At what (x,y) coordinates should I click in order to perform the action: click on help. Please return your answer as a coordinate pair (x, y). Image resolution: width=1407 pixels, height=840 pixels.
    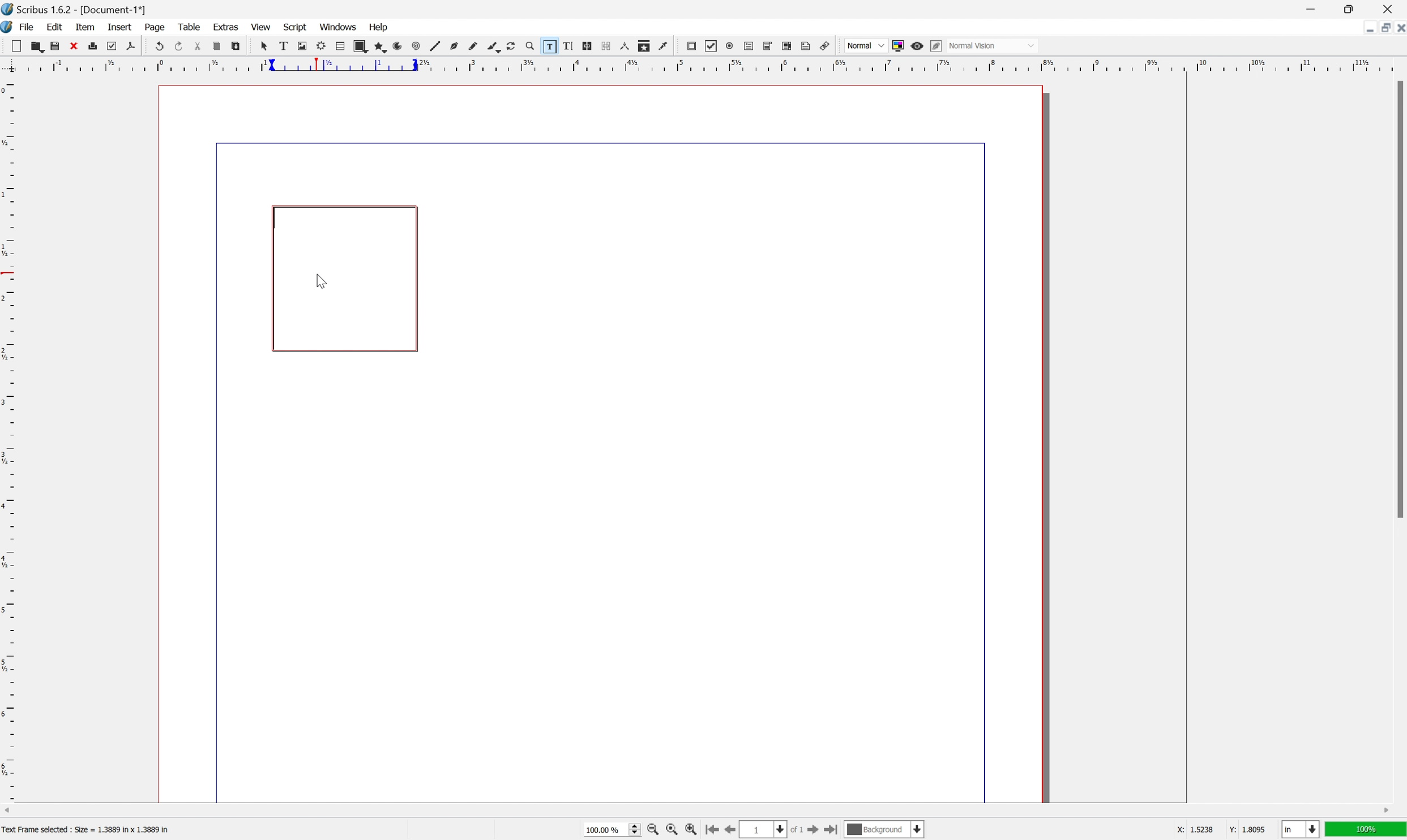
    Looking at the image, I should click on (379, 26).